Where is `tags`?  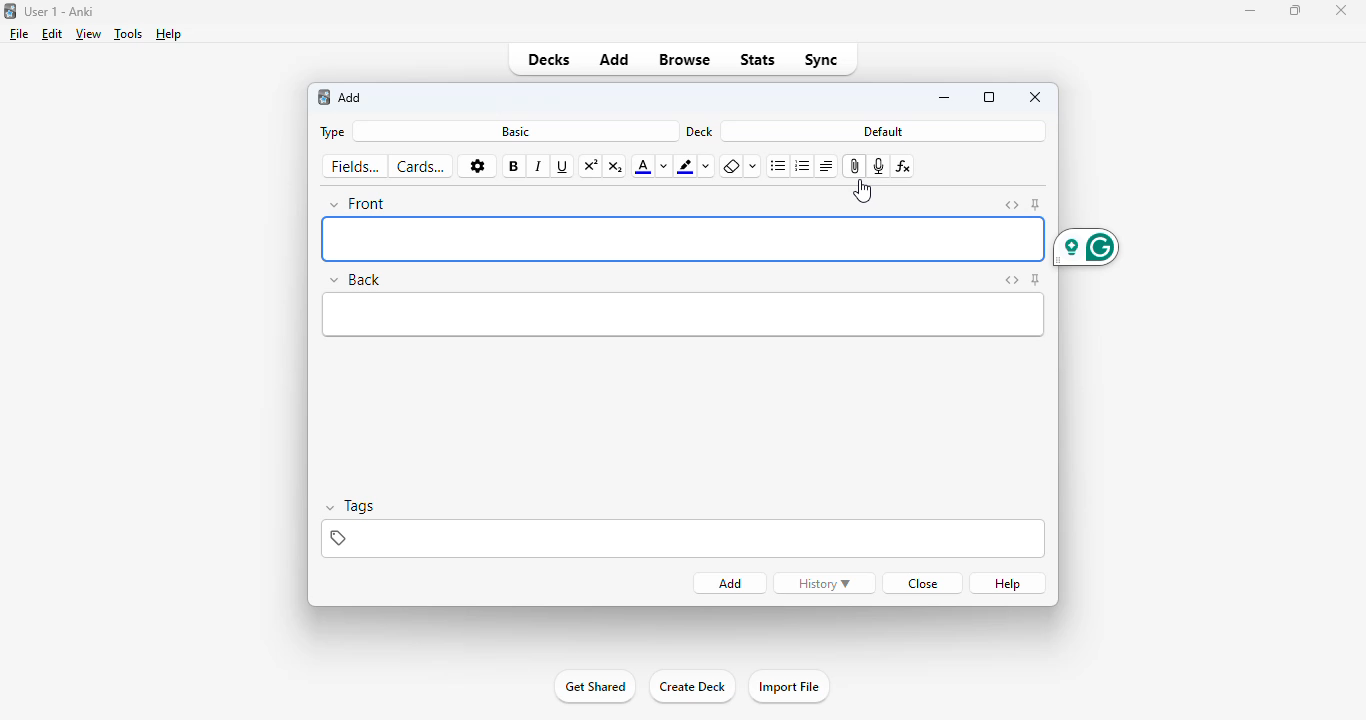
tags is located at coordinates (354, 506).